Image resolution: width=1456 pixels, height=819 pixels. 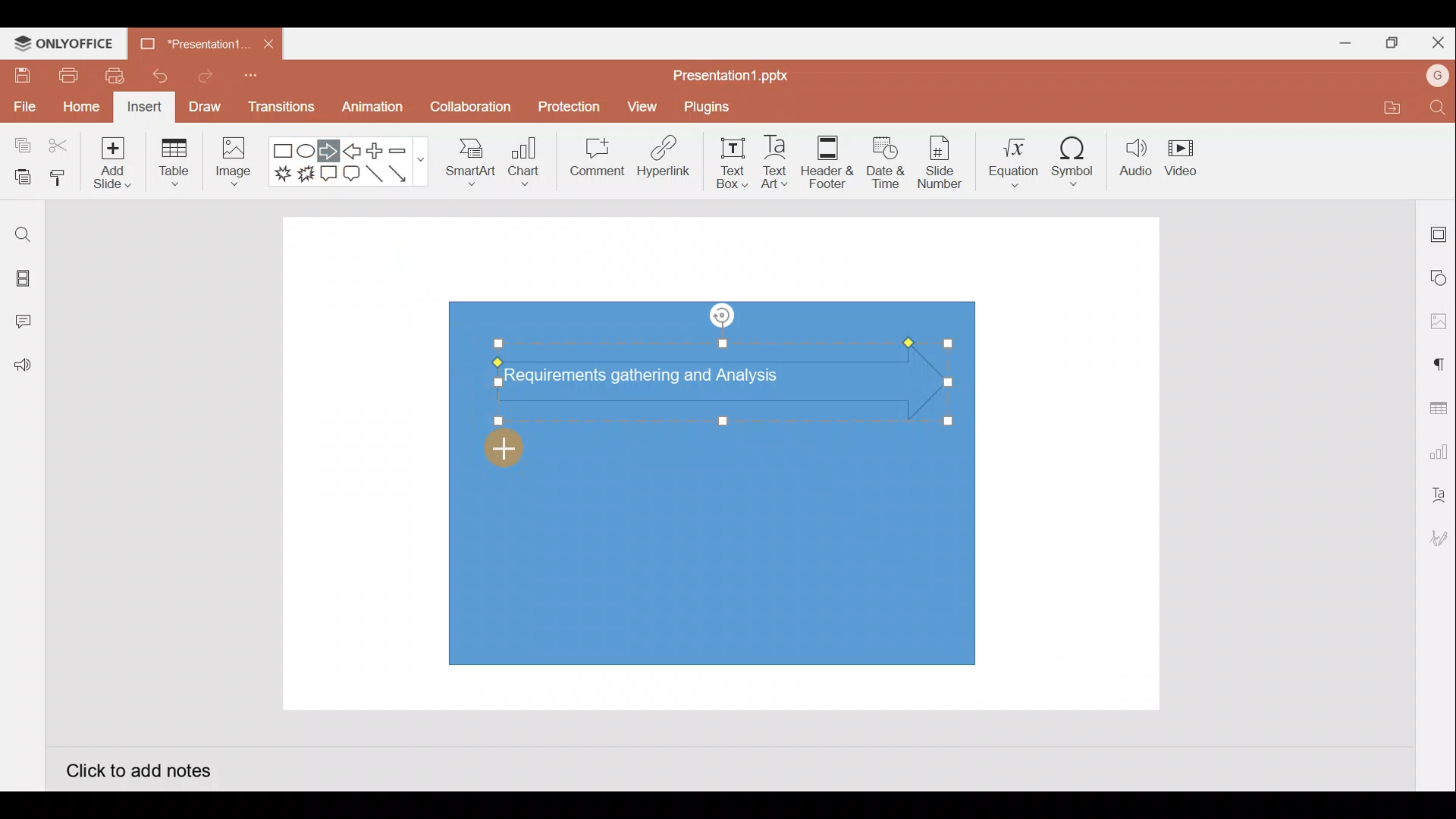 I want to click on Explosion 1, so click(x=283, y=173).